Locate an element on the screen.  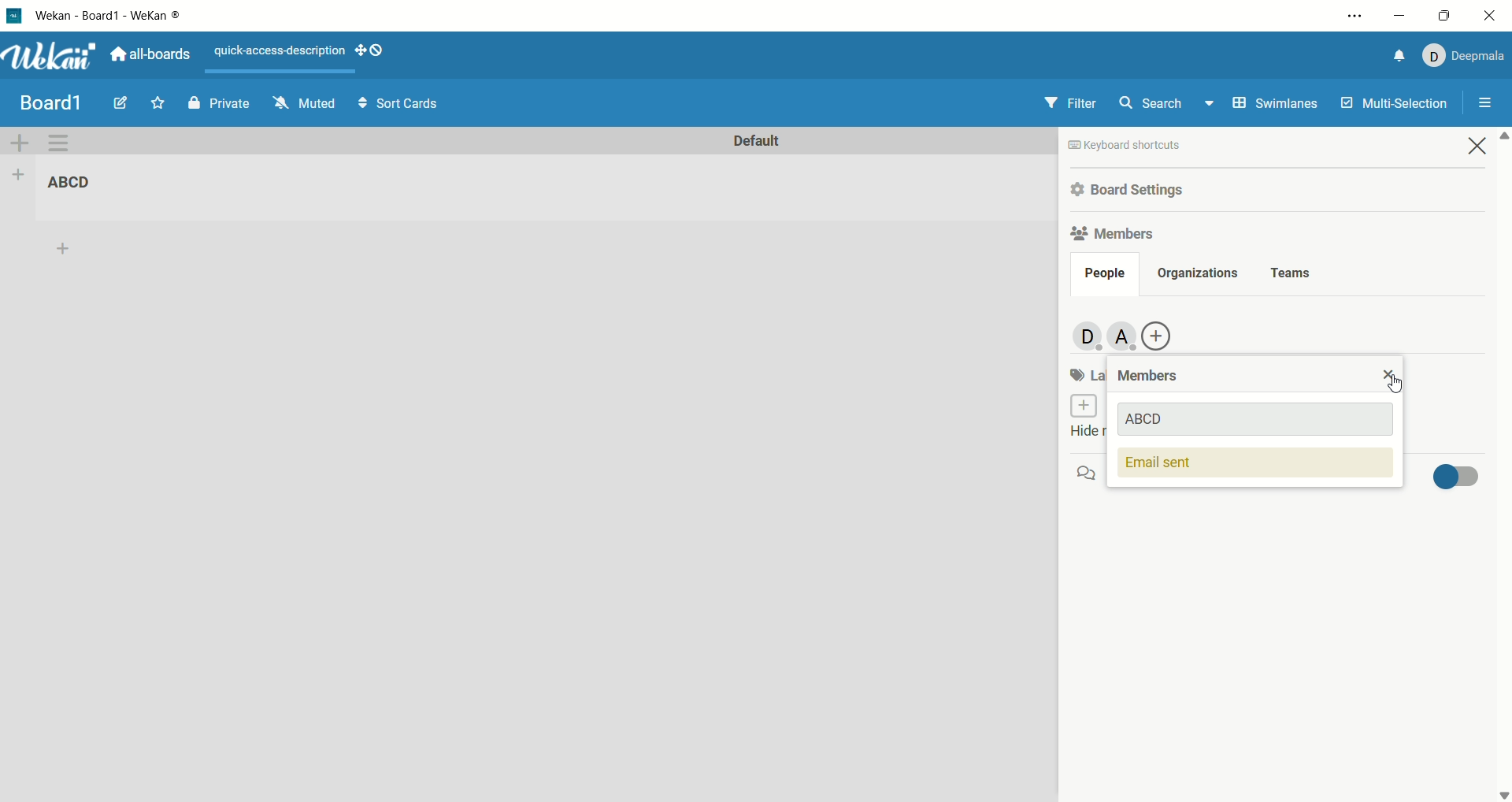
account is located at coordinates (1465, 56).